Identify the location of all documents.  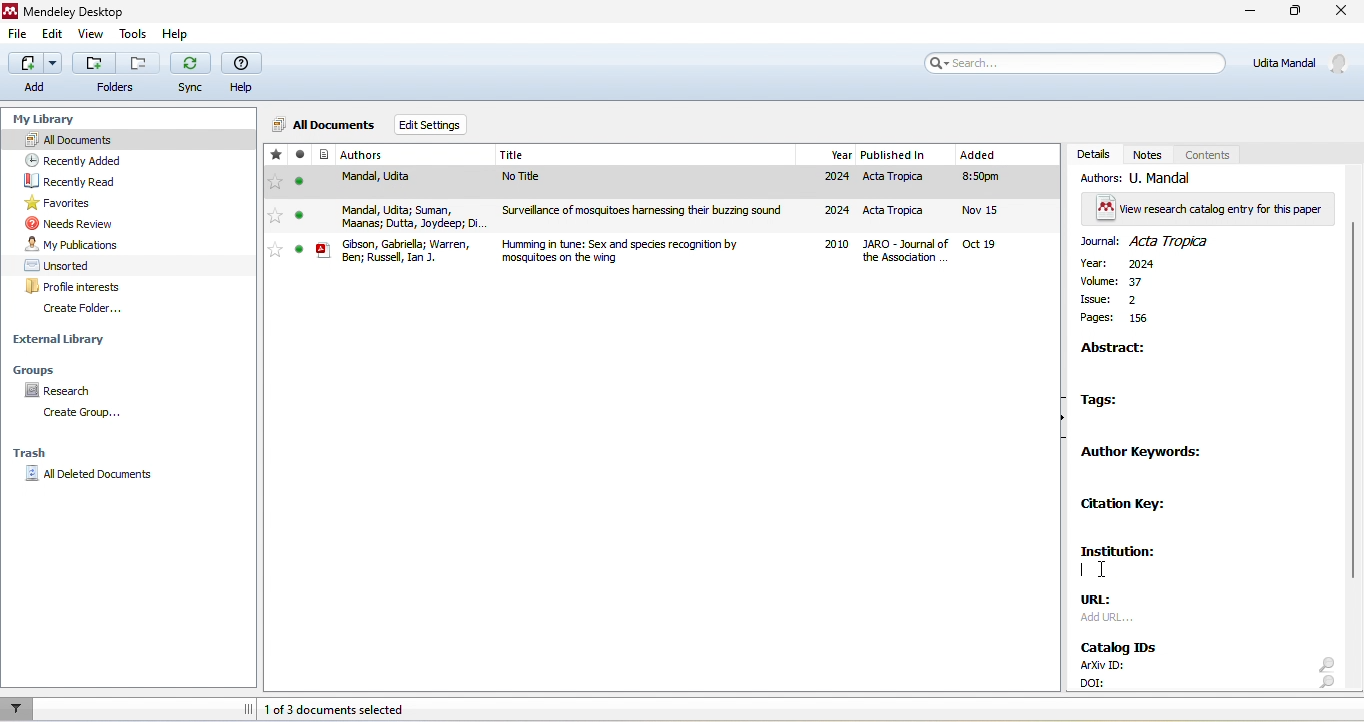
(127, 140).